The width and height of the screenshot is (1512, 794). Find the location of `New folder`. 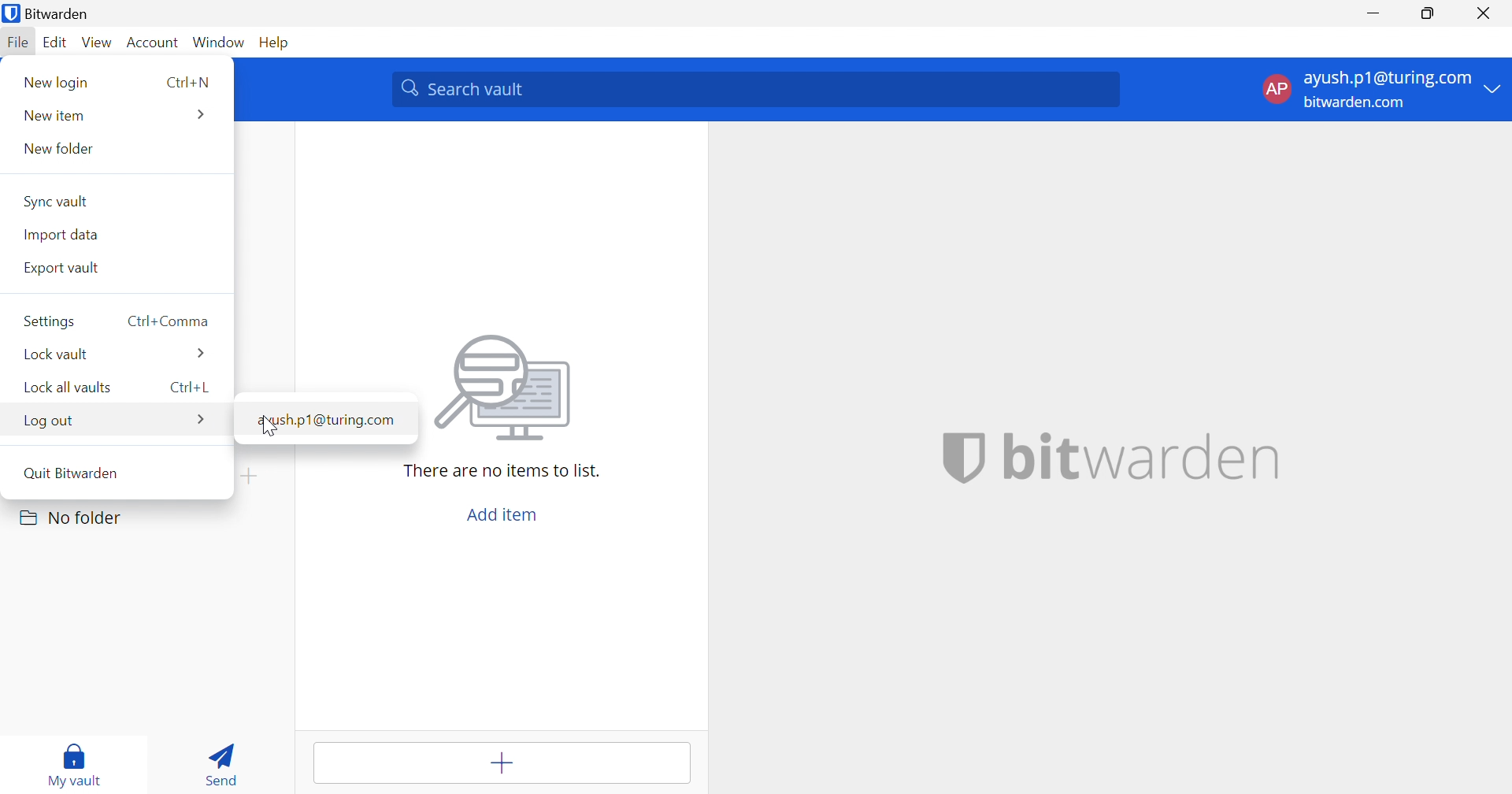

New folder is located at coordinates (56, 150).